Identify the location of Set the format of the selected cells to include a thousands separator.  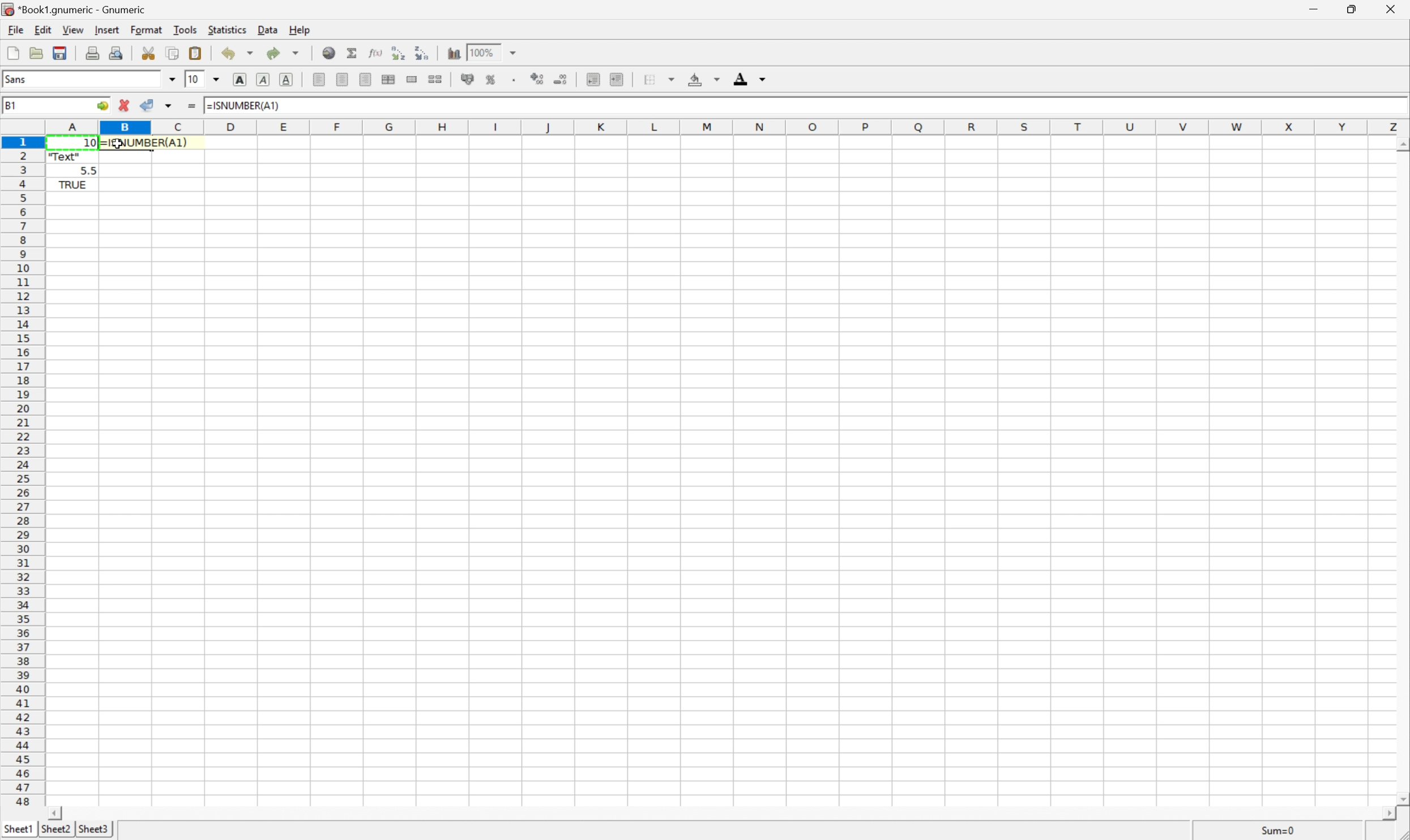
(514, 80).